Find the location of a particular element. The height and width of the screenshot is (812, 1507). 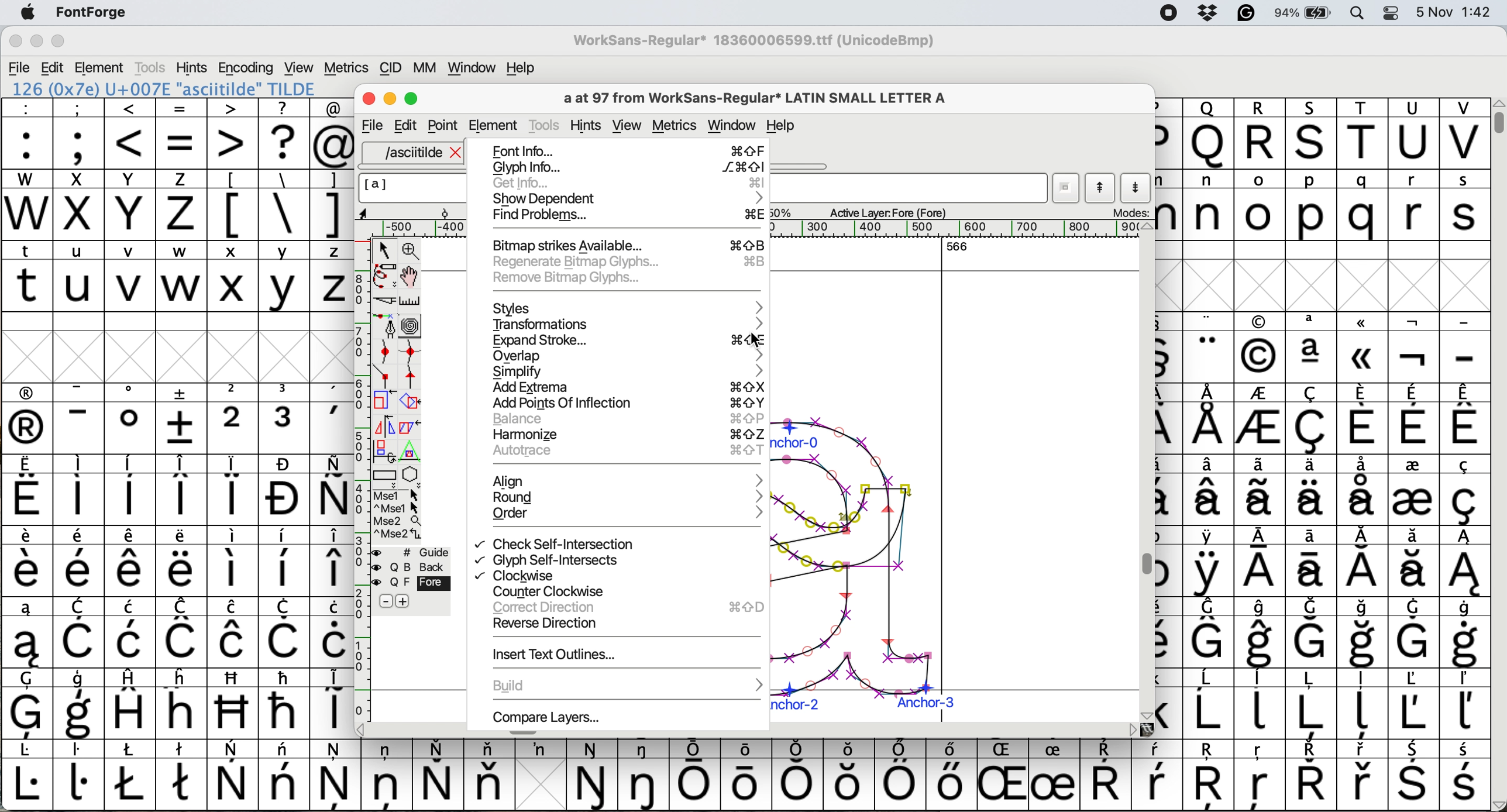

minimise is located at coordinates (35, 42).